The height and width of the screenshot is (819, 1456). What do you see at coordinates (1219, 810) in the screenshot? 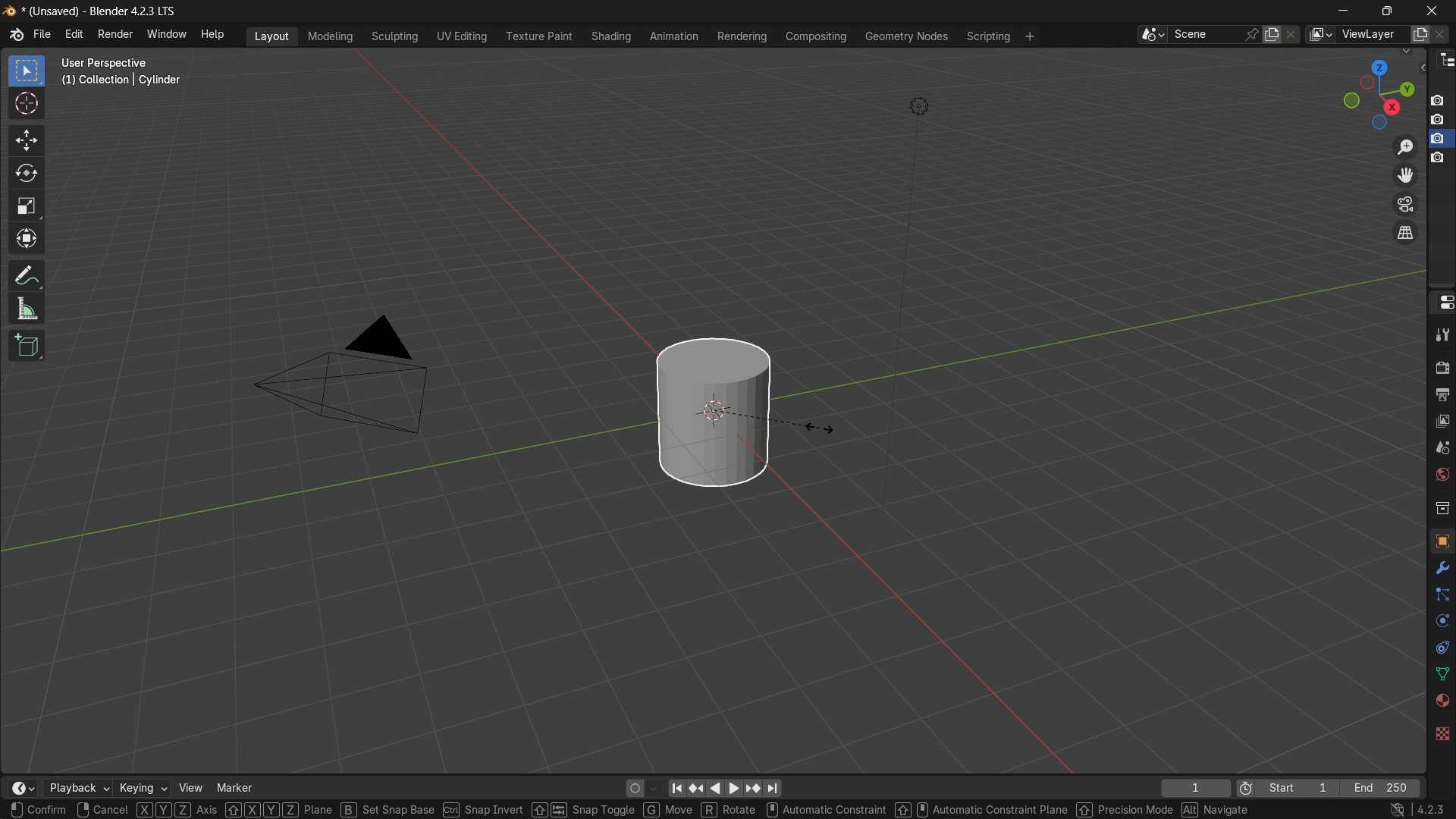
I see `use Alt to Navigate ` at bounding box center [1219, 810].